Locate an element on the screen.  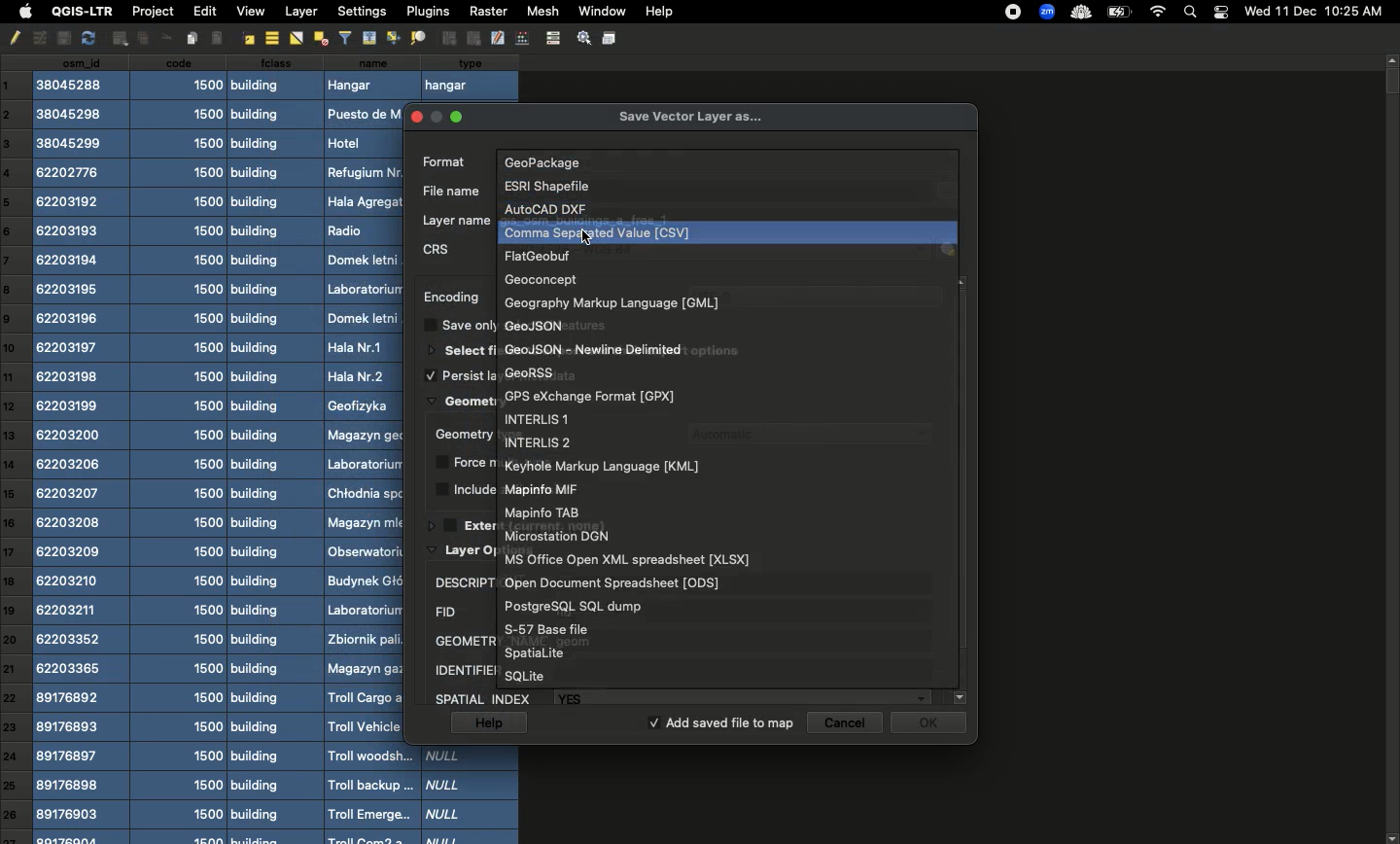
edit is located at coordinates (498, 38).